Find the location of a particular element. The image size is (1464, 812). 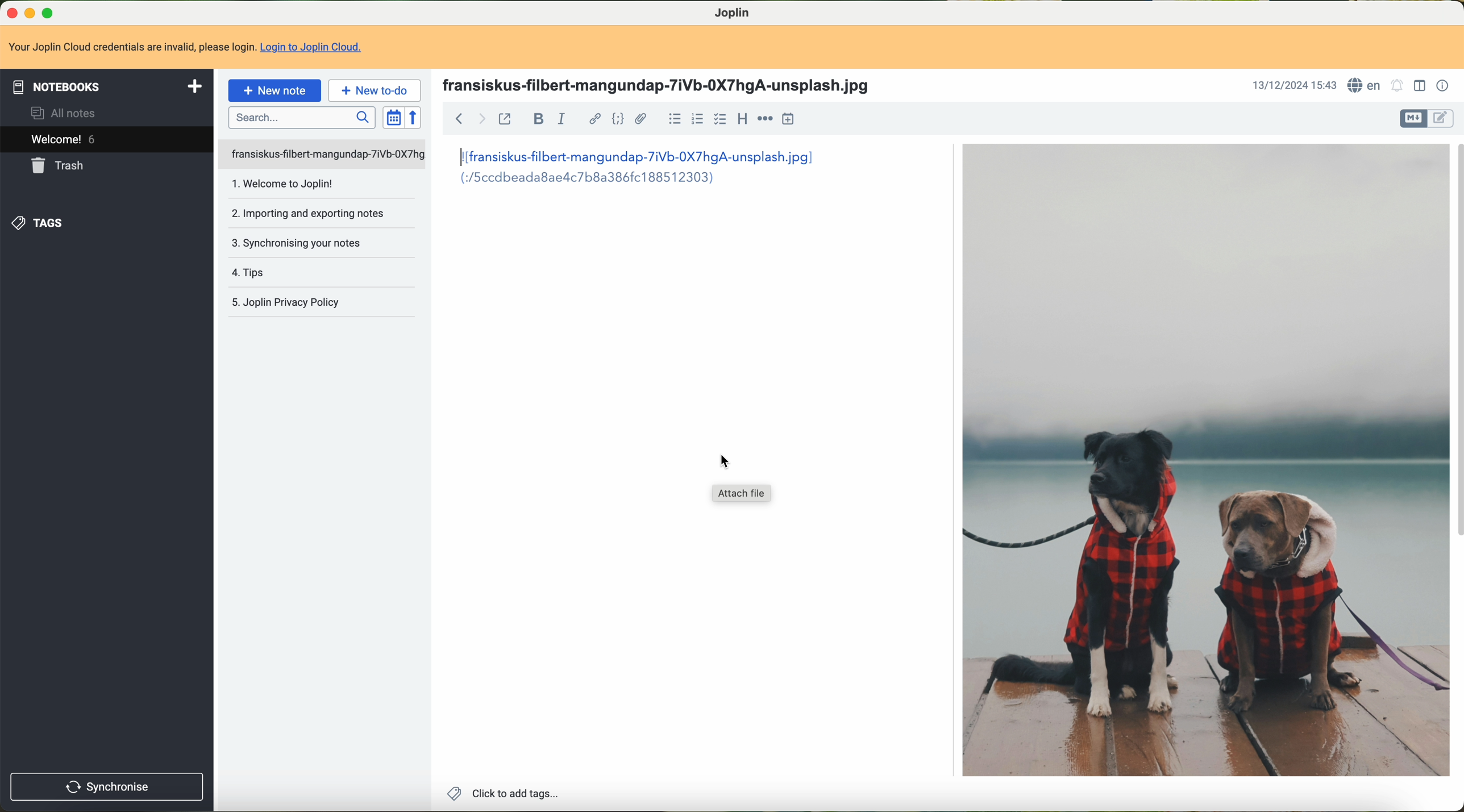

Joplin privacy policy is located at coordinates (285, 301).